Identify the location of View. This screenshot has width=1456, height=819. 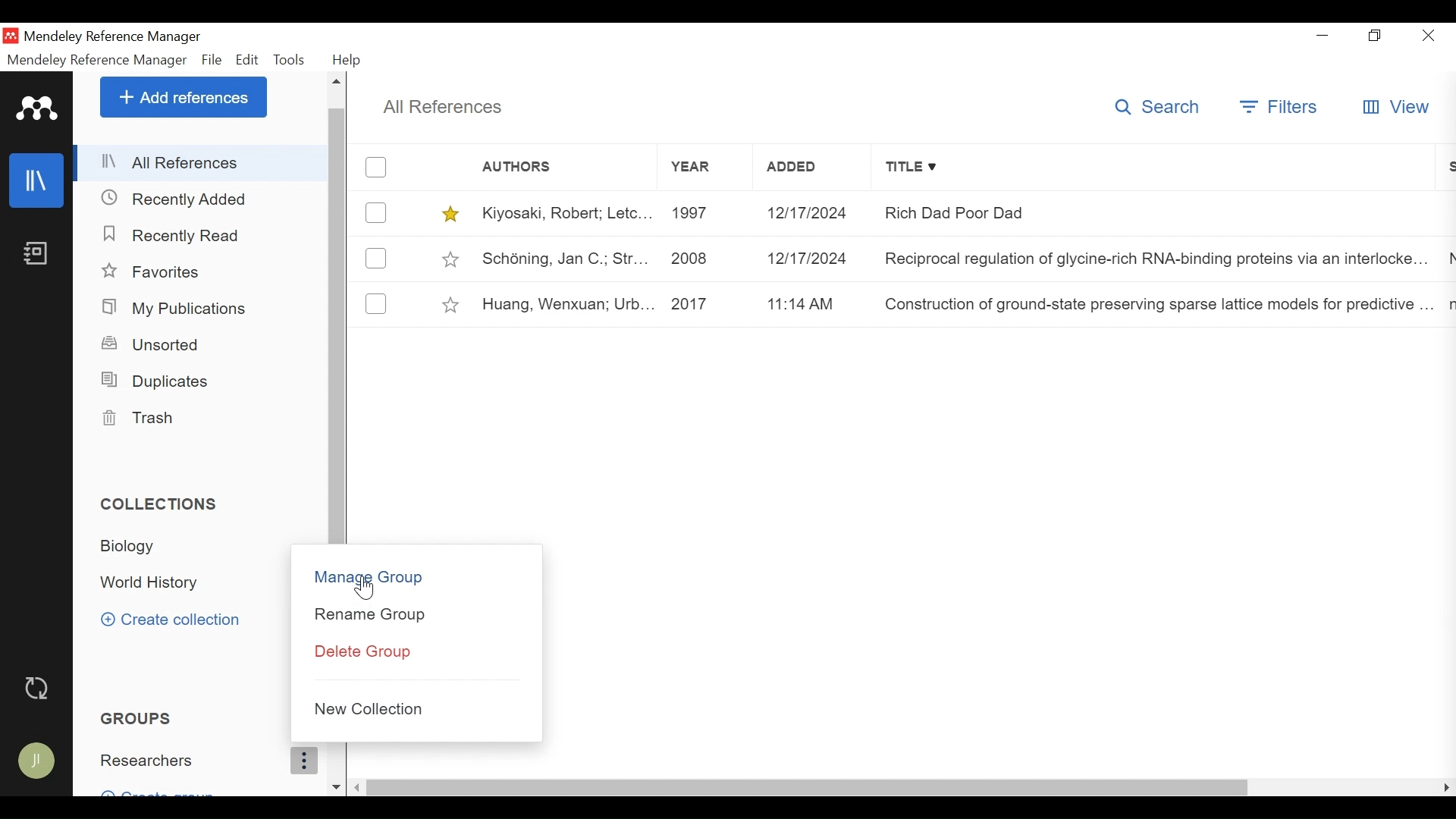
(1395, 106).